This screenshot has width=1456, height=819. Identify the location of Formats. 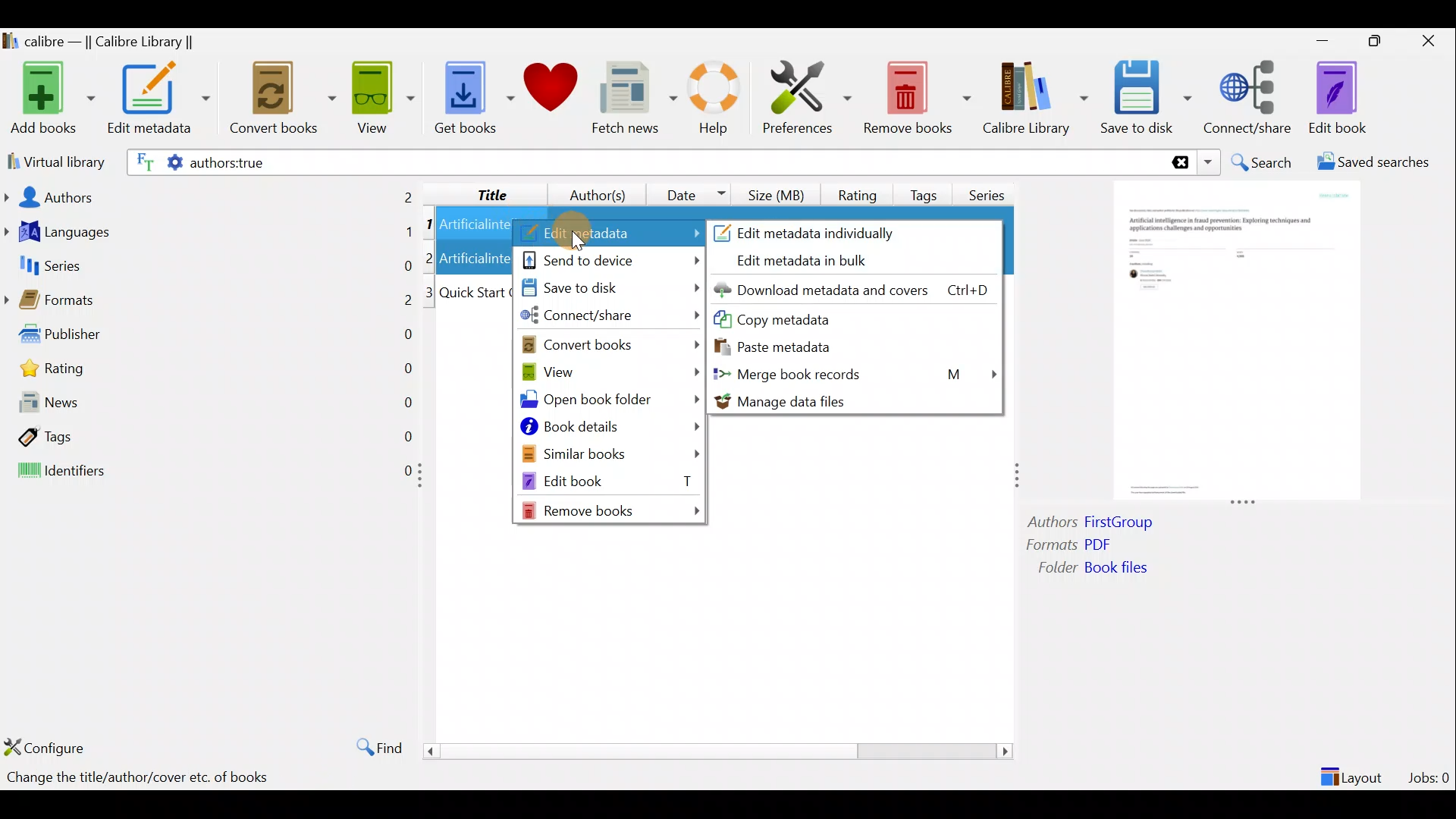
(209, 304).